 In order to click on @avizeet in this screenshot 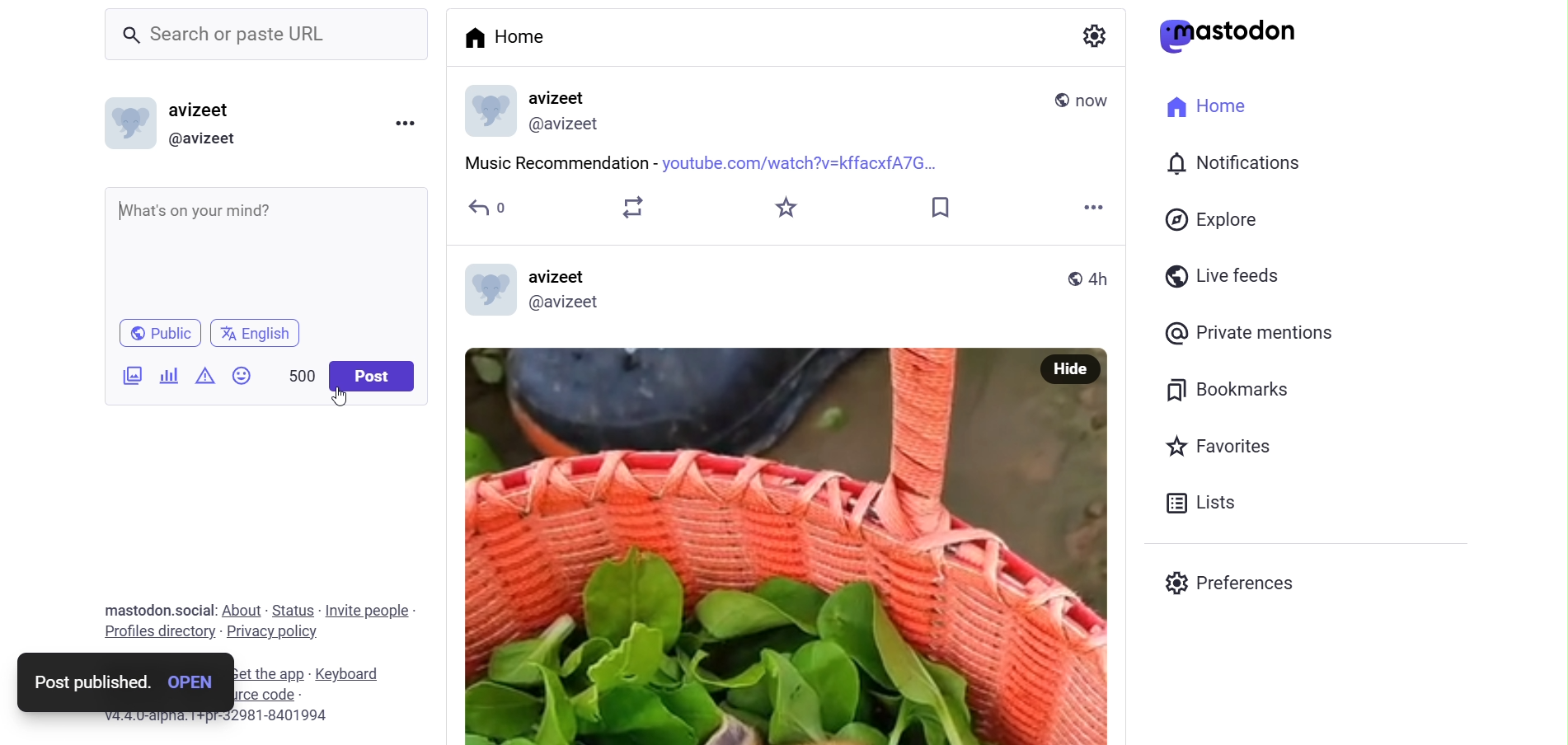, I will do `click(212, 141)`.